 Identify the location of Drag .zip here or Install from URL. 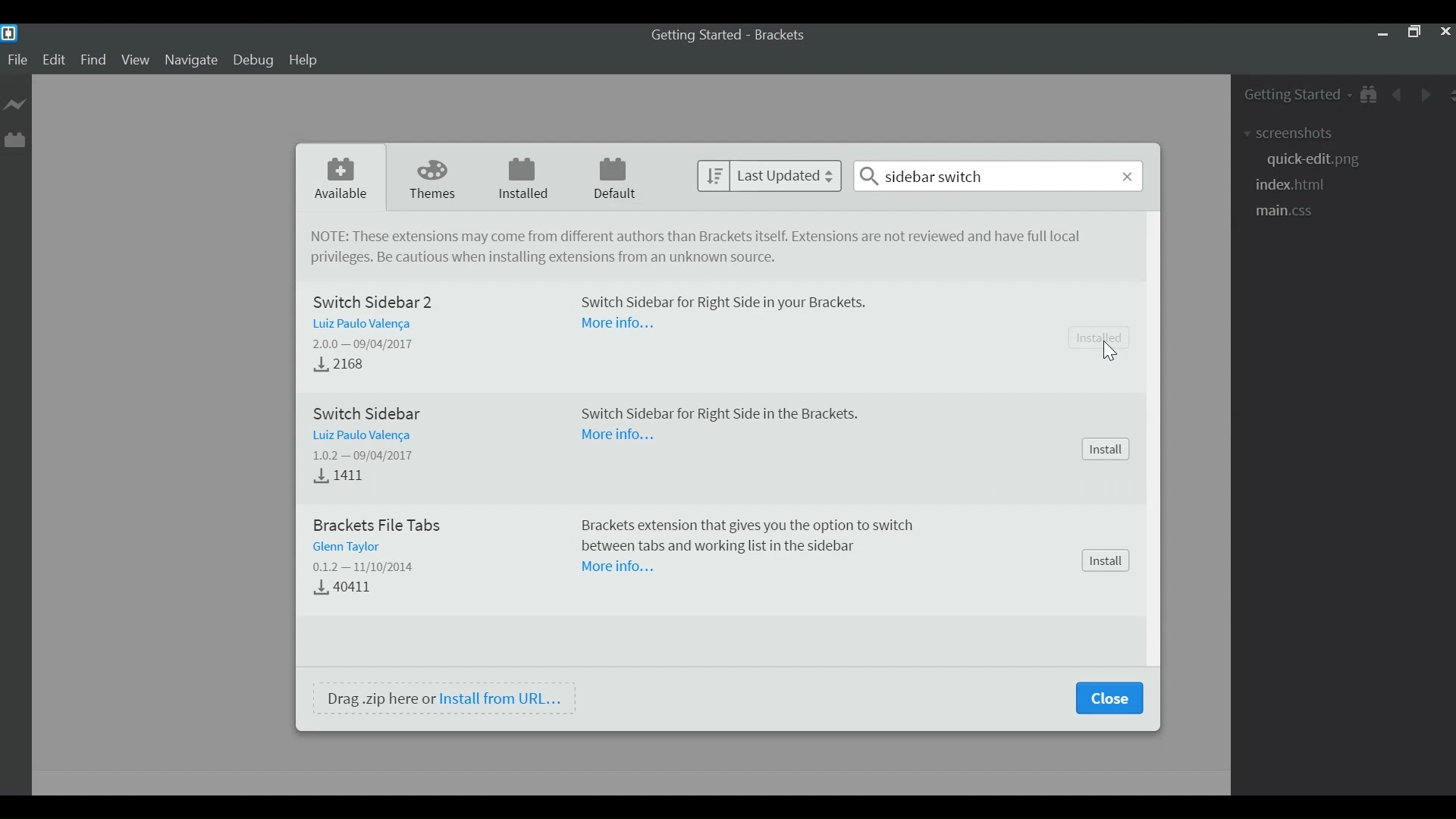
(445, 698).